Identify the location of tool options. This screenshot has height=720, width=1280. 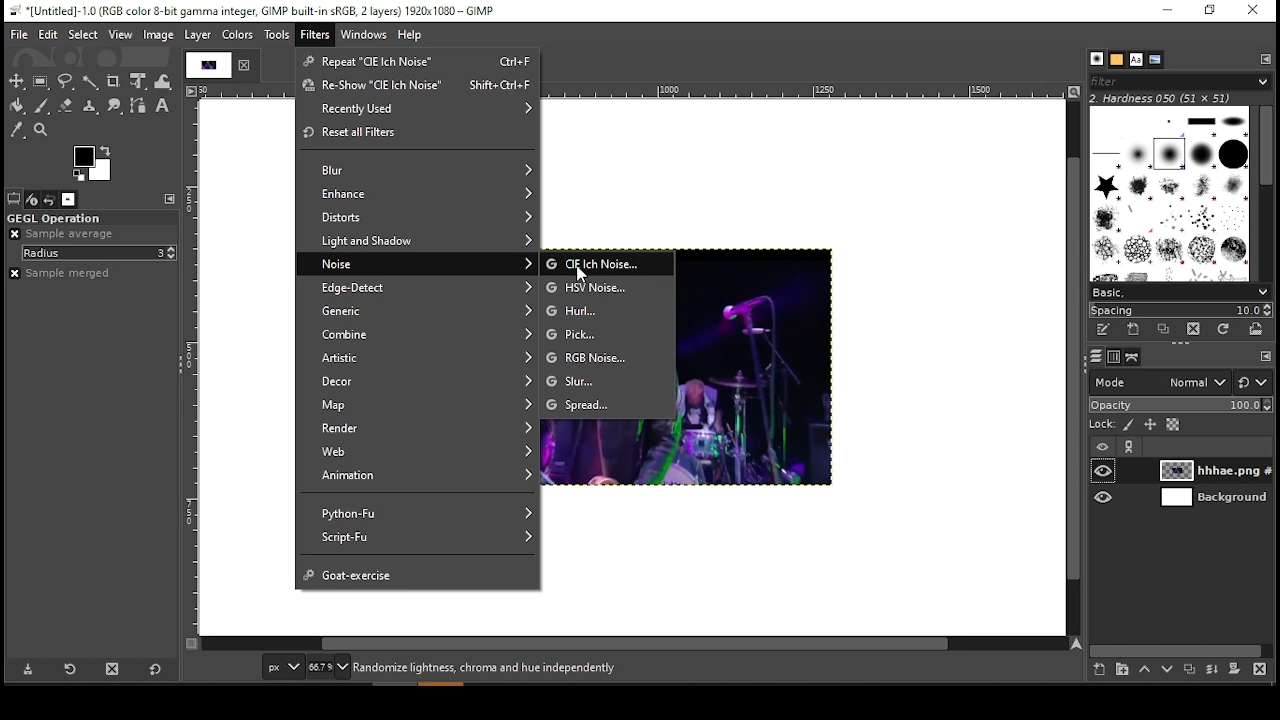
(12, 199).